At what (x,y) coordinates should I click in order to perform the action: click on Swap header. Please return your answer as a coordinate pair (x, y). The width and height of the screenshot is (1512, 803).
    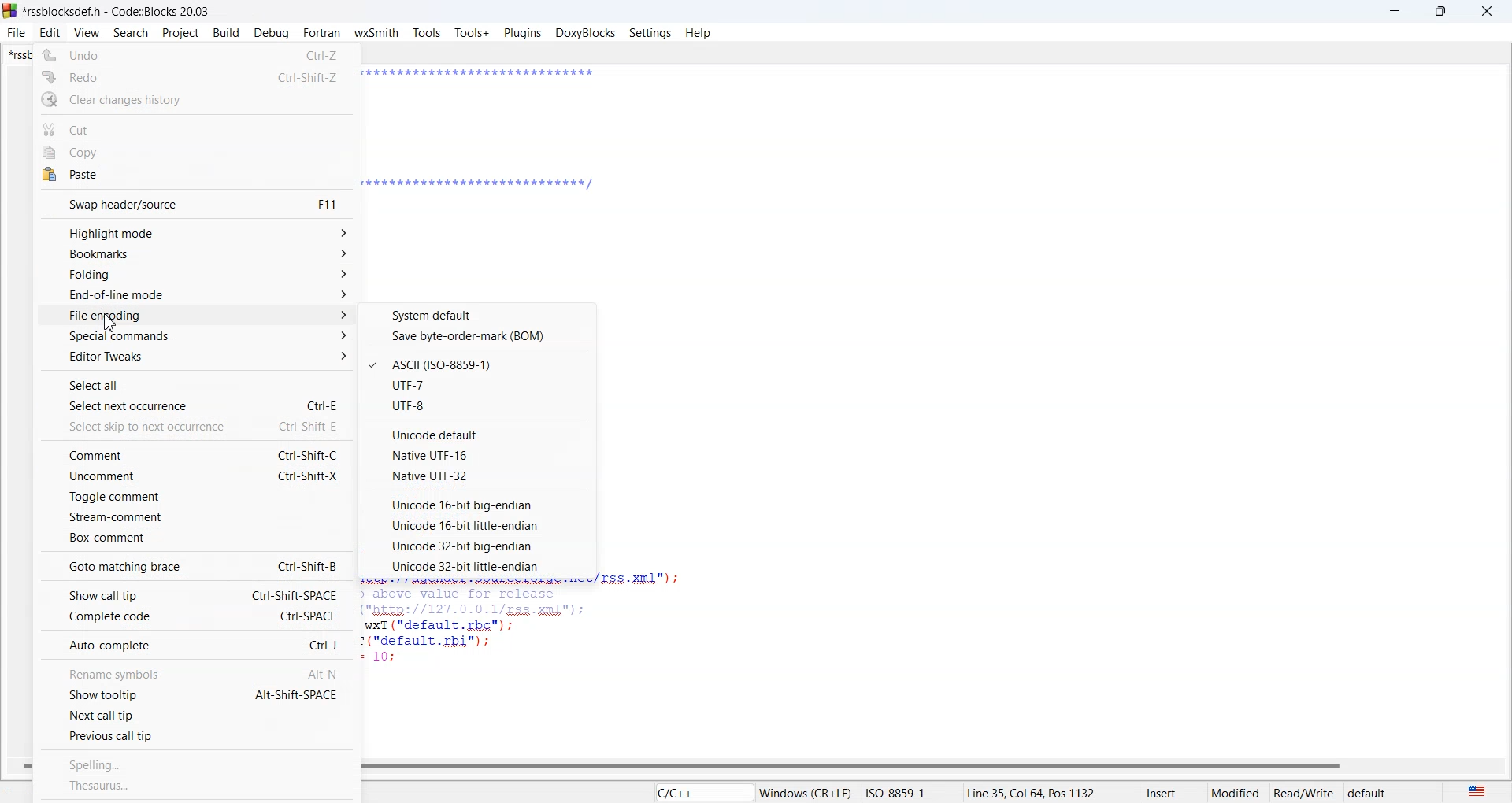
    Looking at the image, I should click on (197, 204).